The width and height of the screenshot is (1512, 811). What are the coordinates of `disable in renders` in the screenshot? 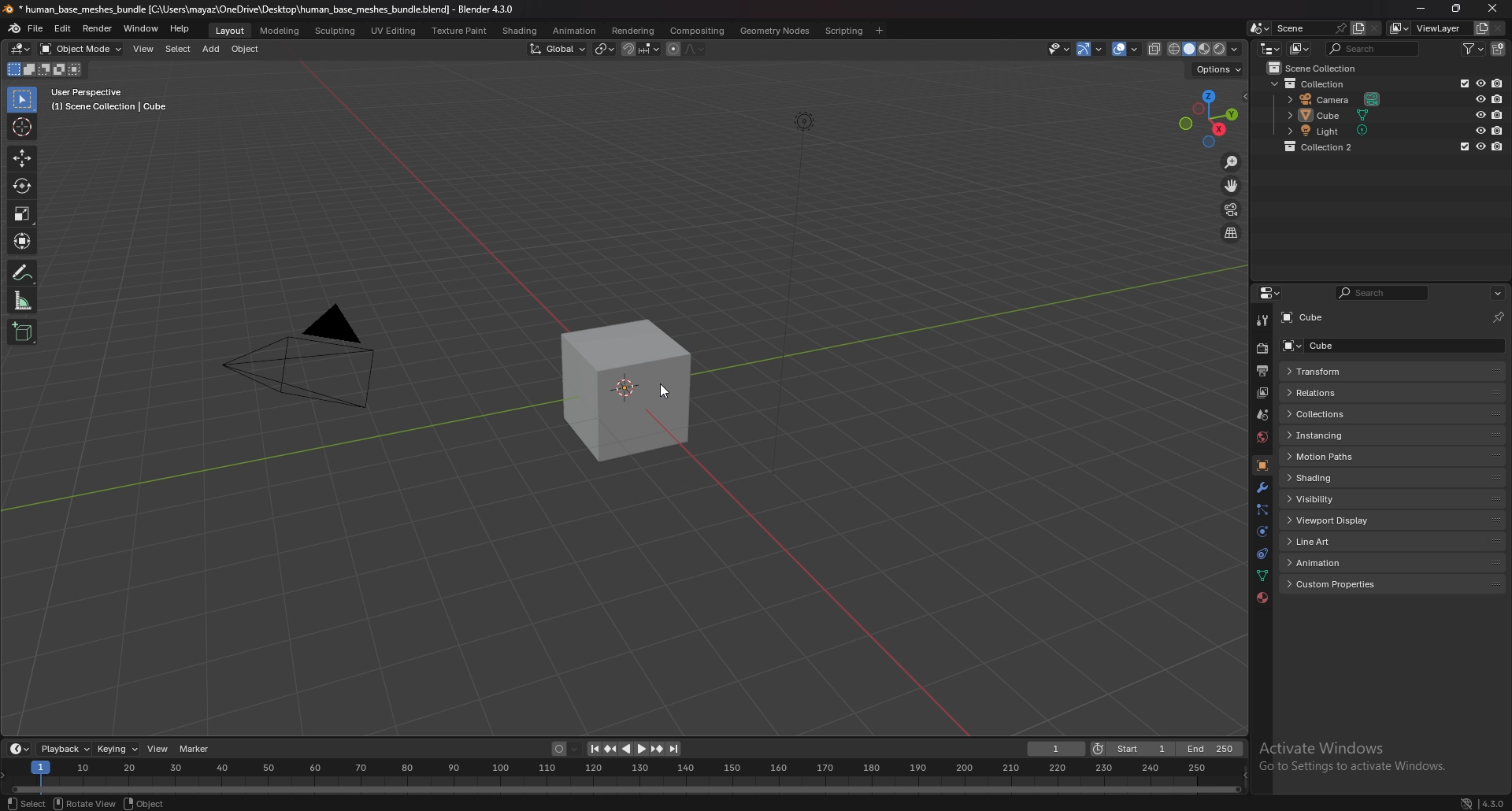 It's located at (1499, 114).